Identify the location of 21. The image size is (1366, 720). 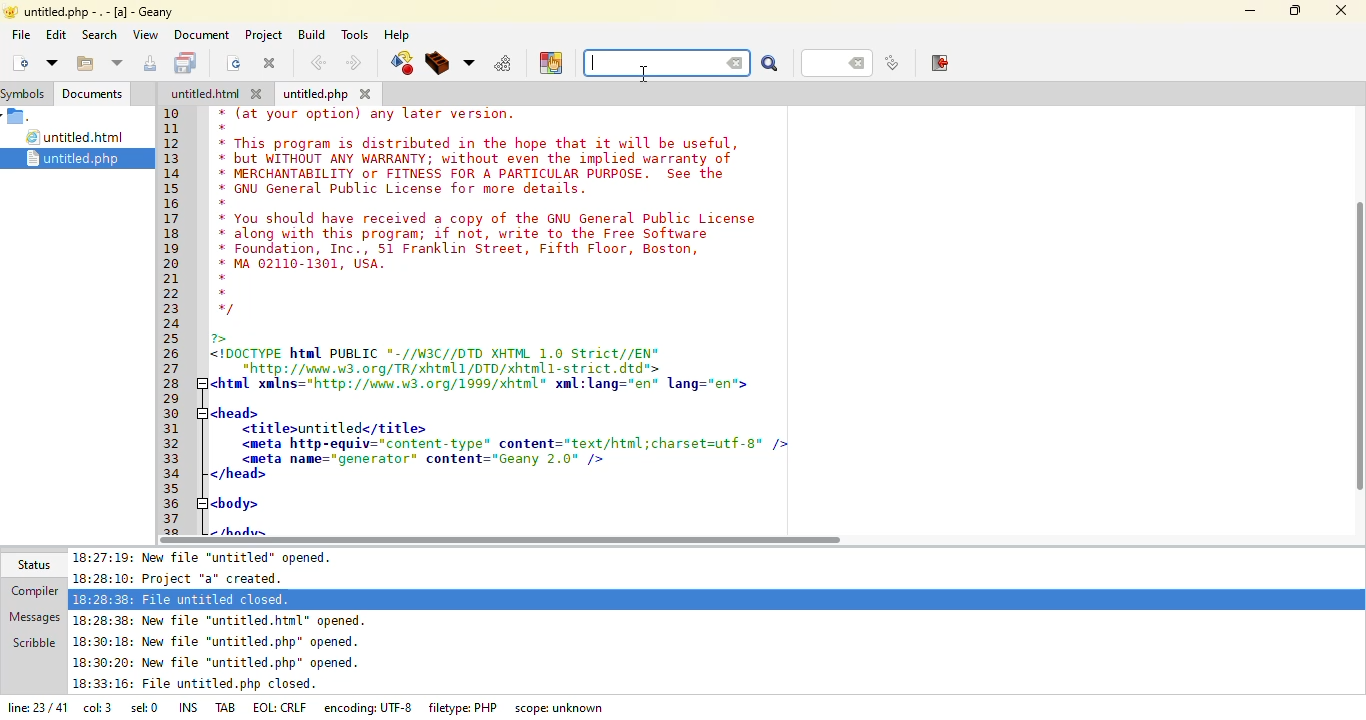
(173, 278).